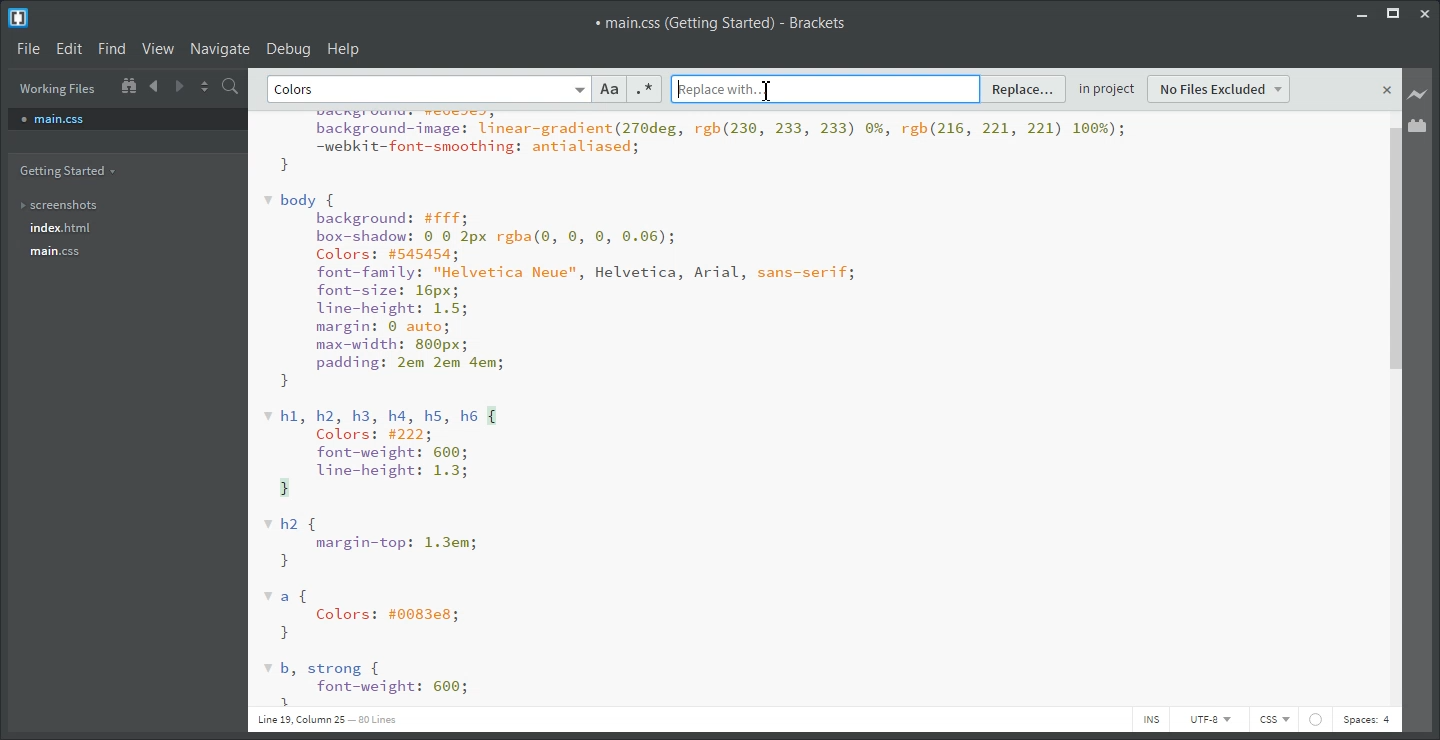  What do you see at coordinates (127, 118) in the screenshot?
I see `main.css` at bounding box center [127, 118].